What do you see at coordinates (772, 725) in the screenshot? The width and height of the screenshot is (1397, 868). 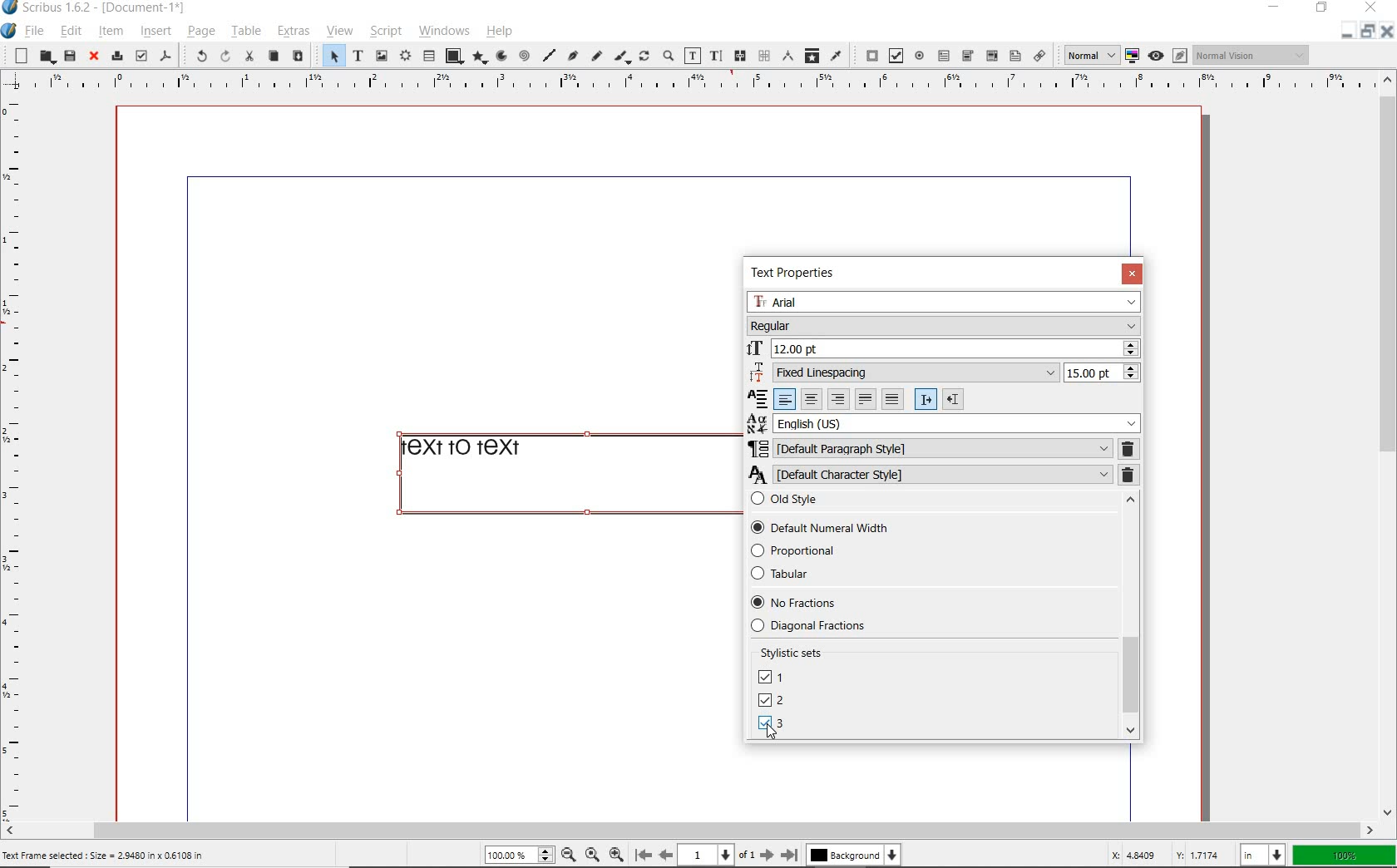 I see `LINING` at bounding box center [772, 725].